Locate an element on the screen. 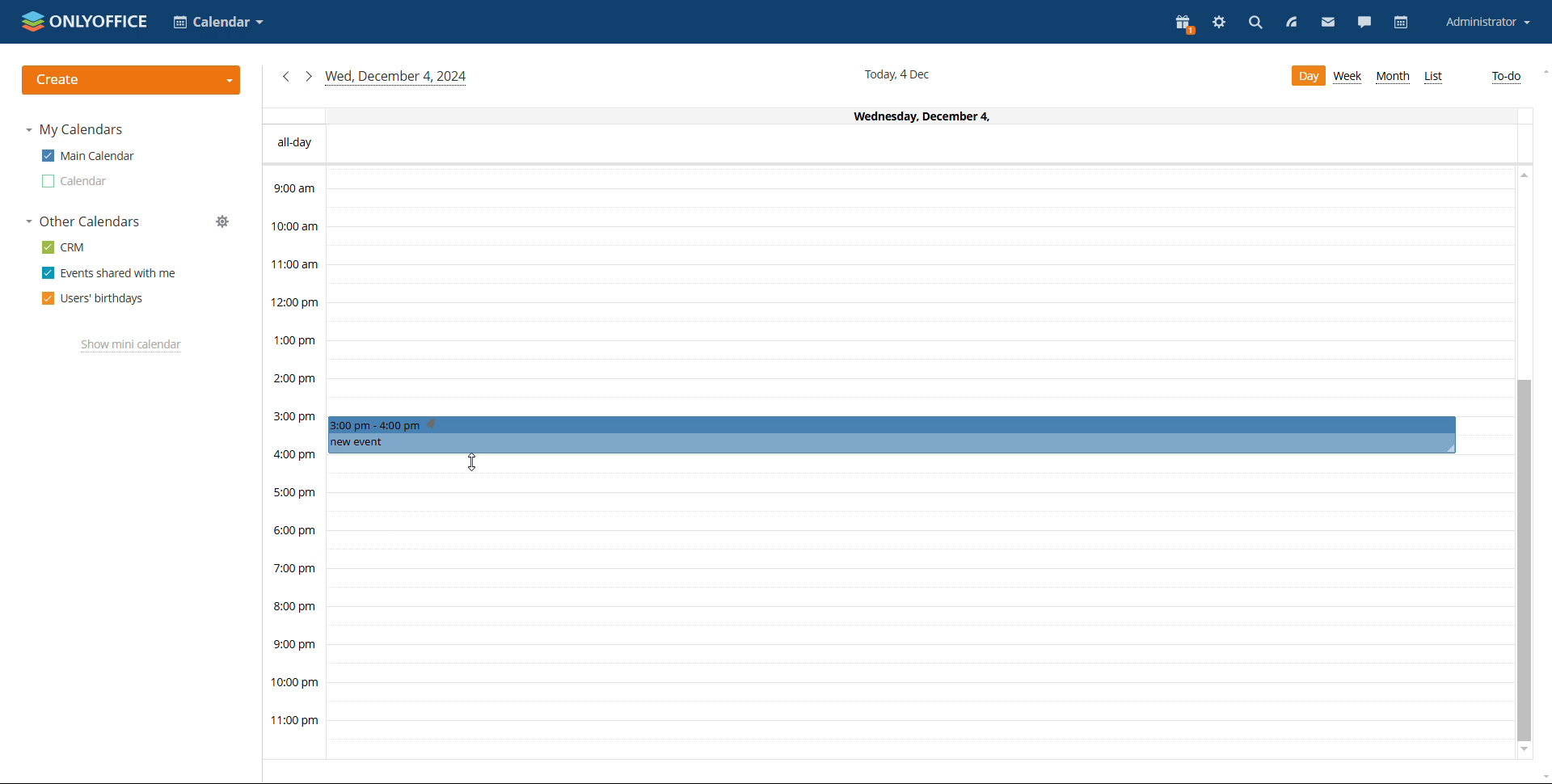 This screenshot has height=784, width=1552. feed is located at coordinates (1289, 23).